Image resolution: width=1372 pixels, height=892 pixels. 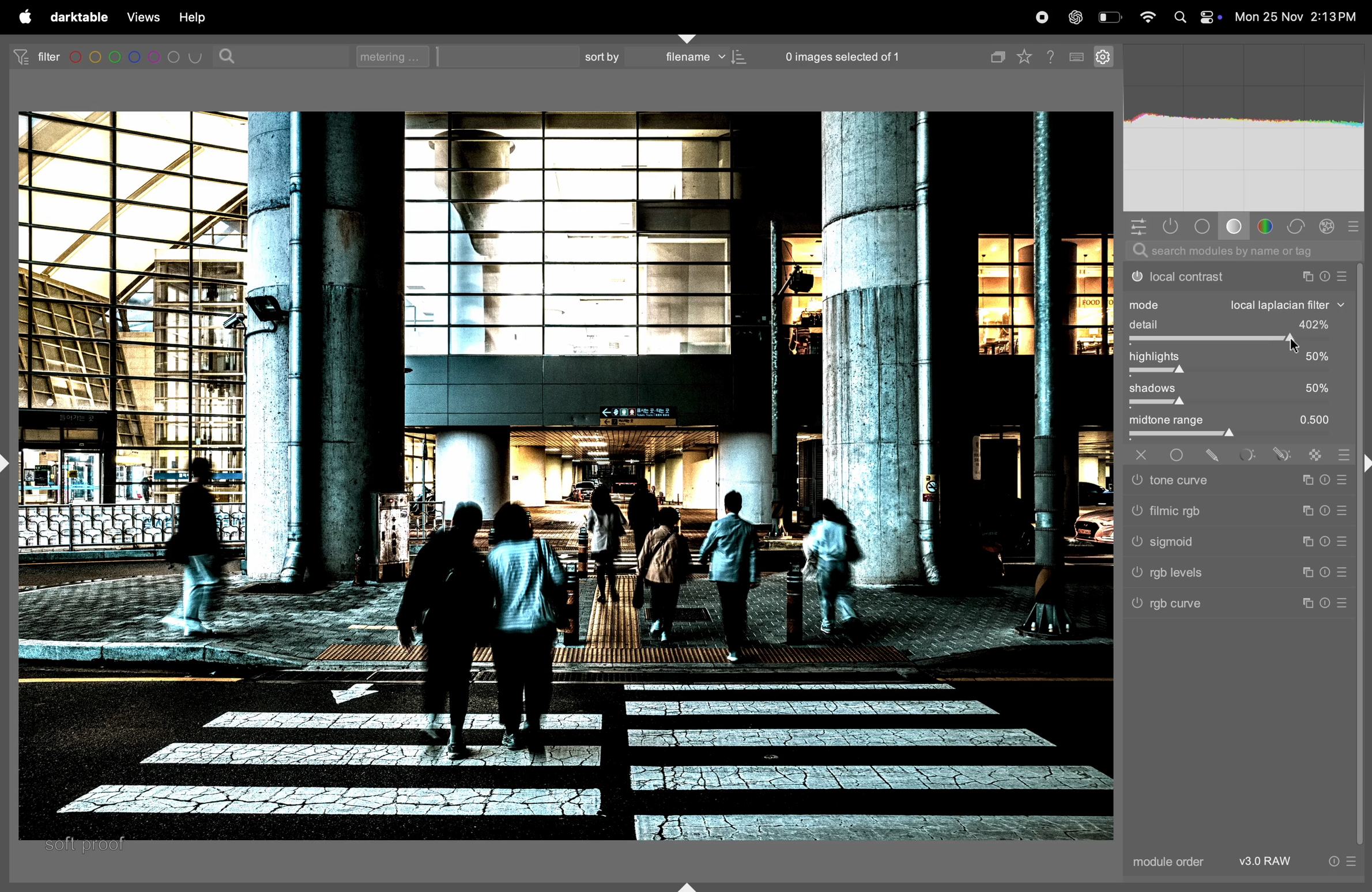 What do you see at coordinates (1204, 225) in the screenshot?
I see `tone` at bounding box center [1204, 225].